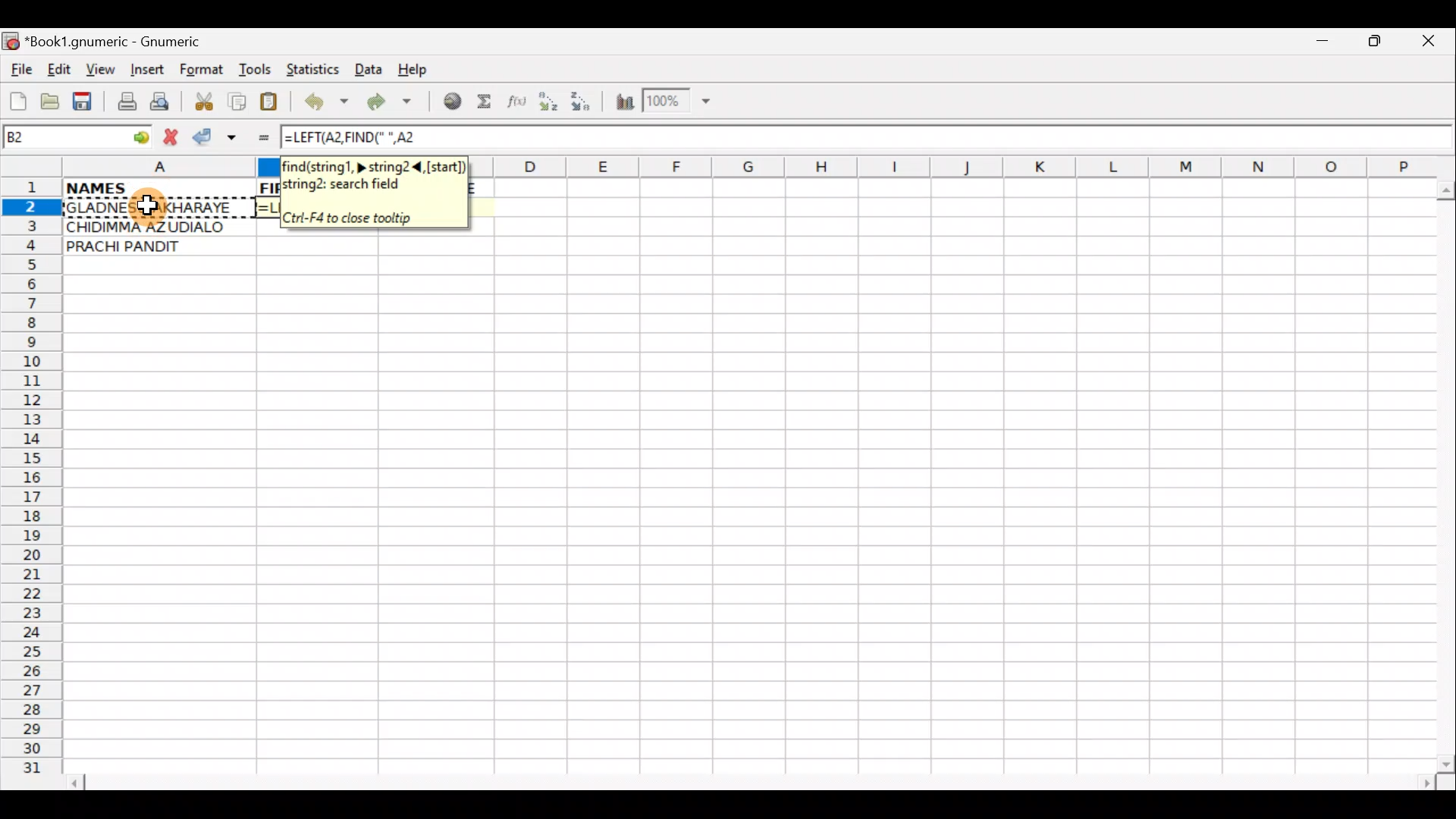  Describe the element at coordinates (519, 105) in the screenshot. I see `Edit function in the current cell` at that location.